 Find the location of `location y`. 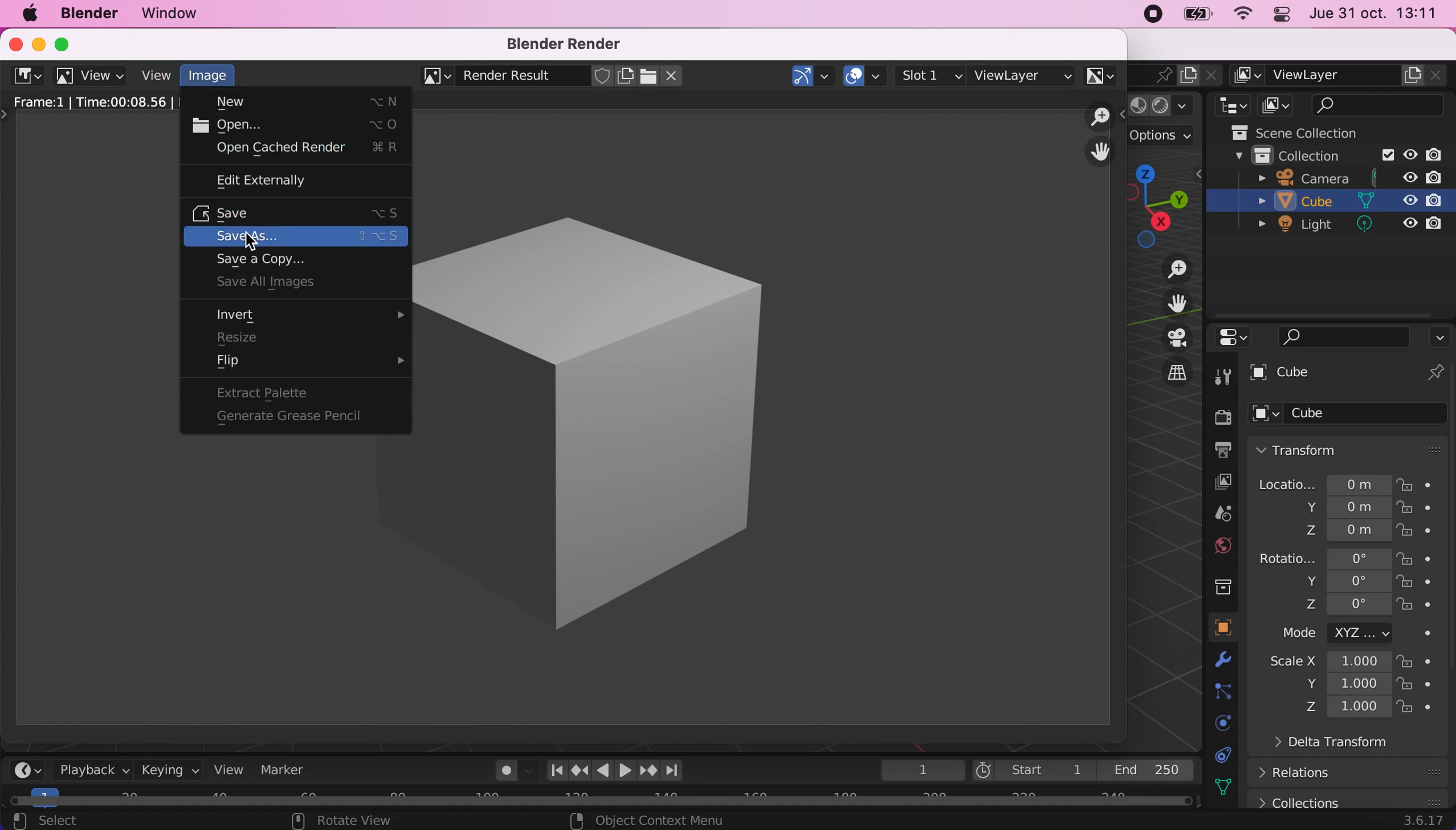

location y is located at coordinates (1325, 507).